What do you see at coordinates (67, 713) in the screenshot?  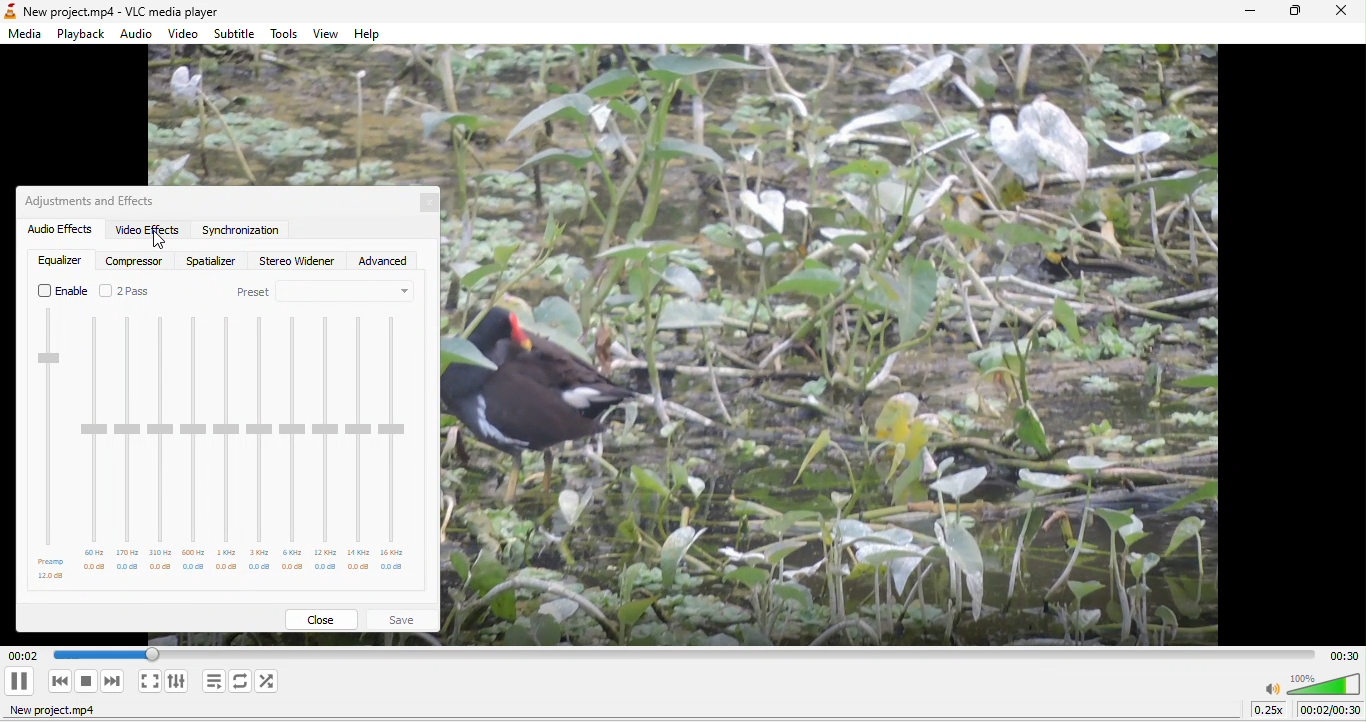 I see `new project mp4` at bounding box center [67, 713].